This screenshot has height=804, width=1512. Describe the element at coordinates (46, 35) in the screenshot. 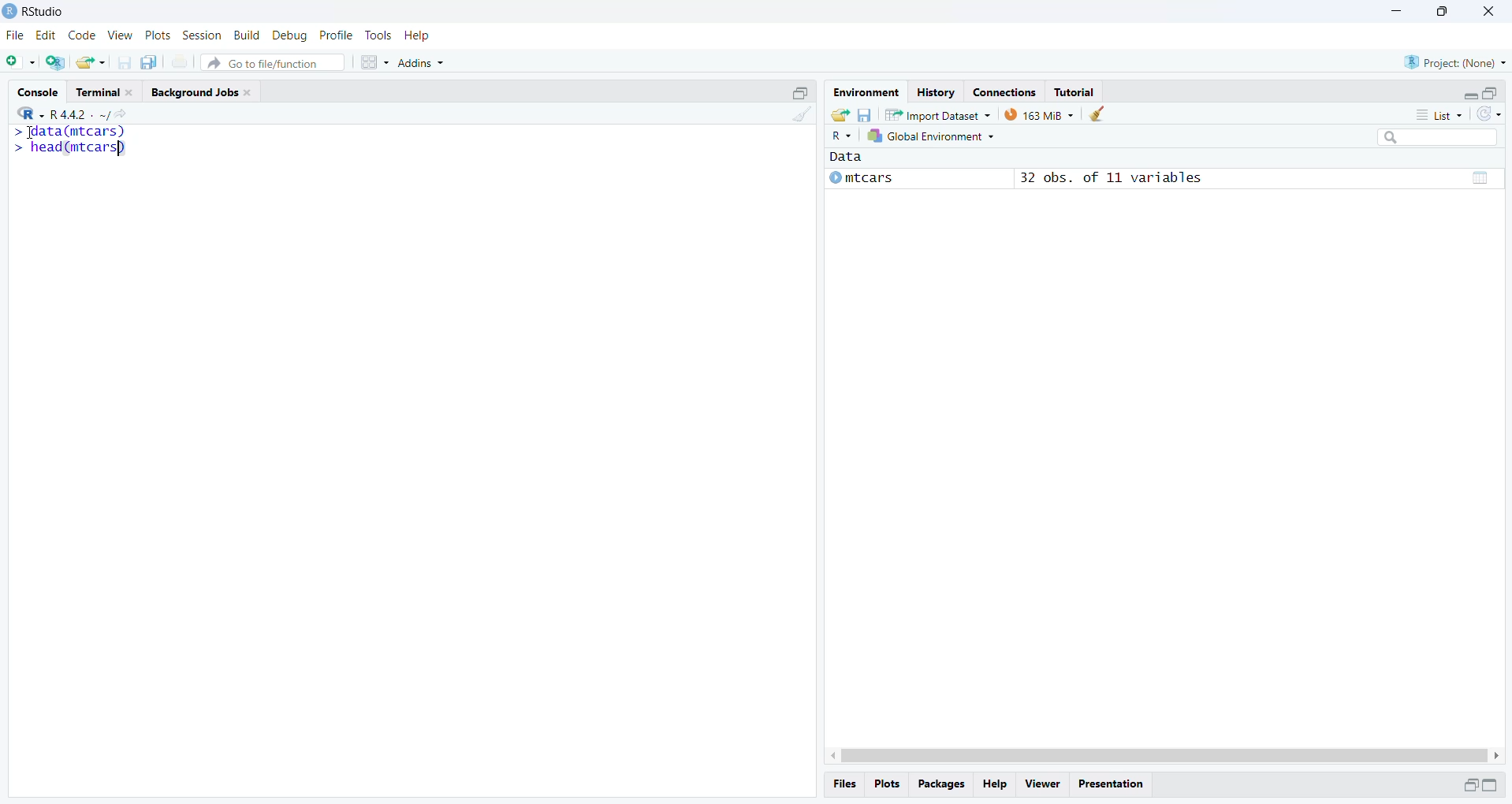

I see `edit` at that location.